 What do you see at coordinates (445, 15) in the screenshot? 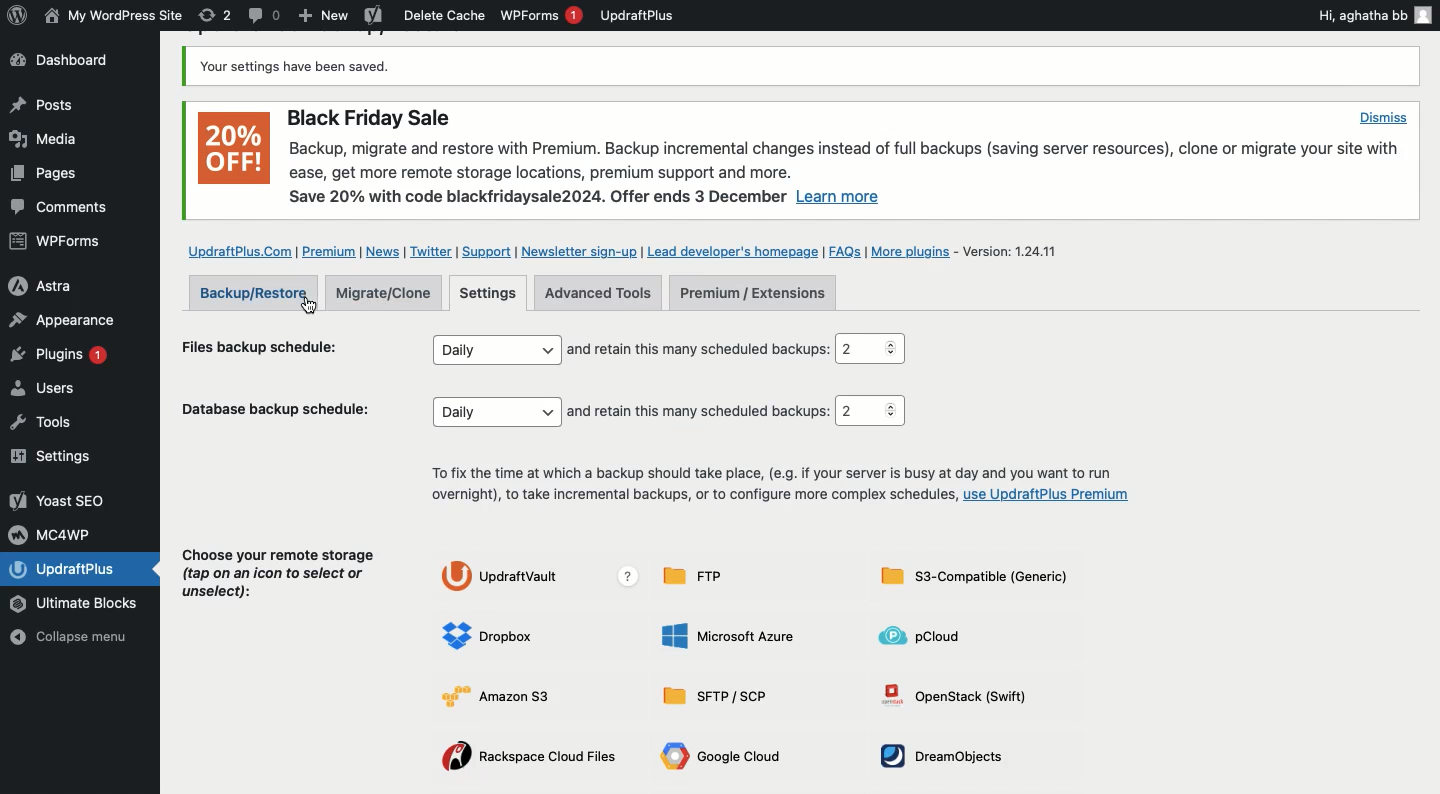
I see `Delete cache` at bounding box center [445, 15].